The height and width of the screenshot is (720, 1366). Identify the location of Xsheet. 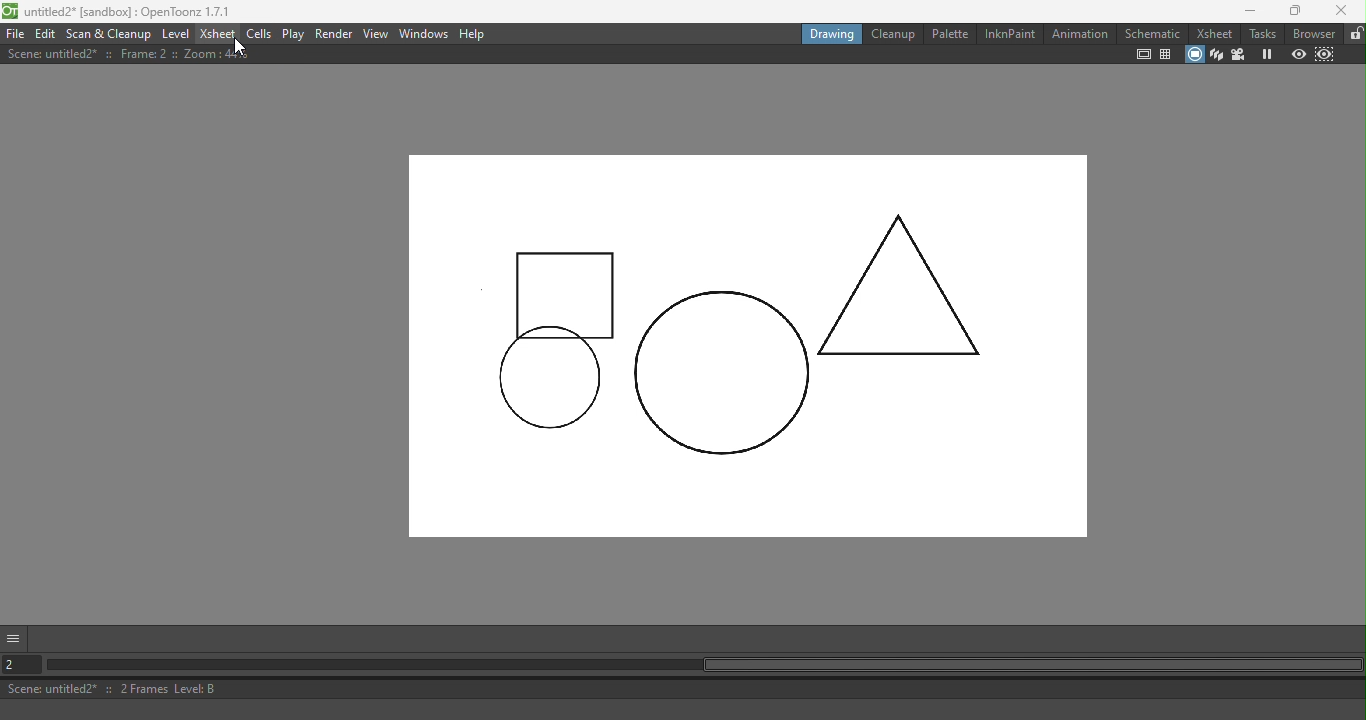
(1213, 33).